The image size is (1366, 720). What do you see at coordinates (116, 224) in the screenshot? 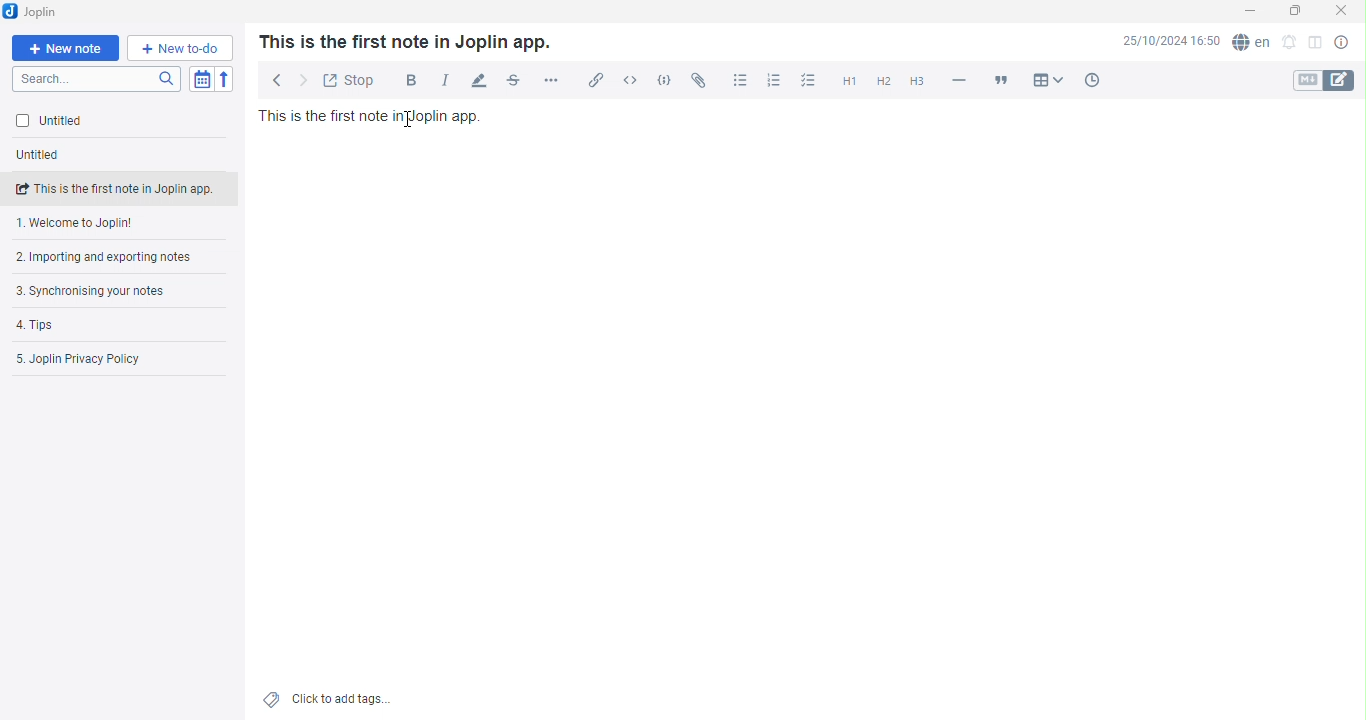
I see `Welcome note` at bounding box center [116, 224].